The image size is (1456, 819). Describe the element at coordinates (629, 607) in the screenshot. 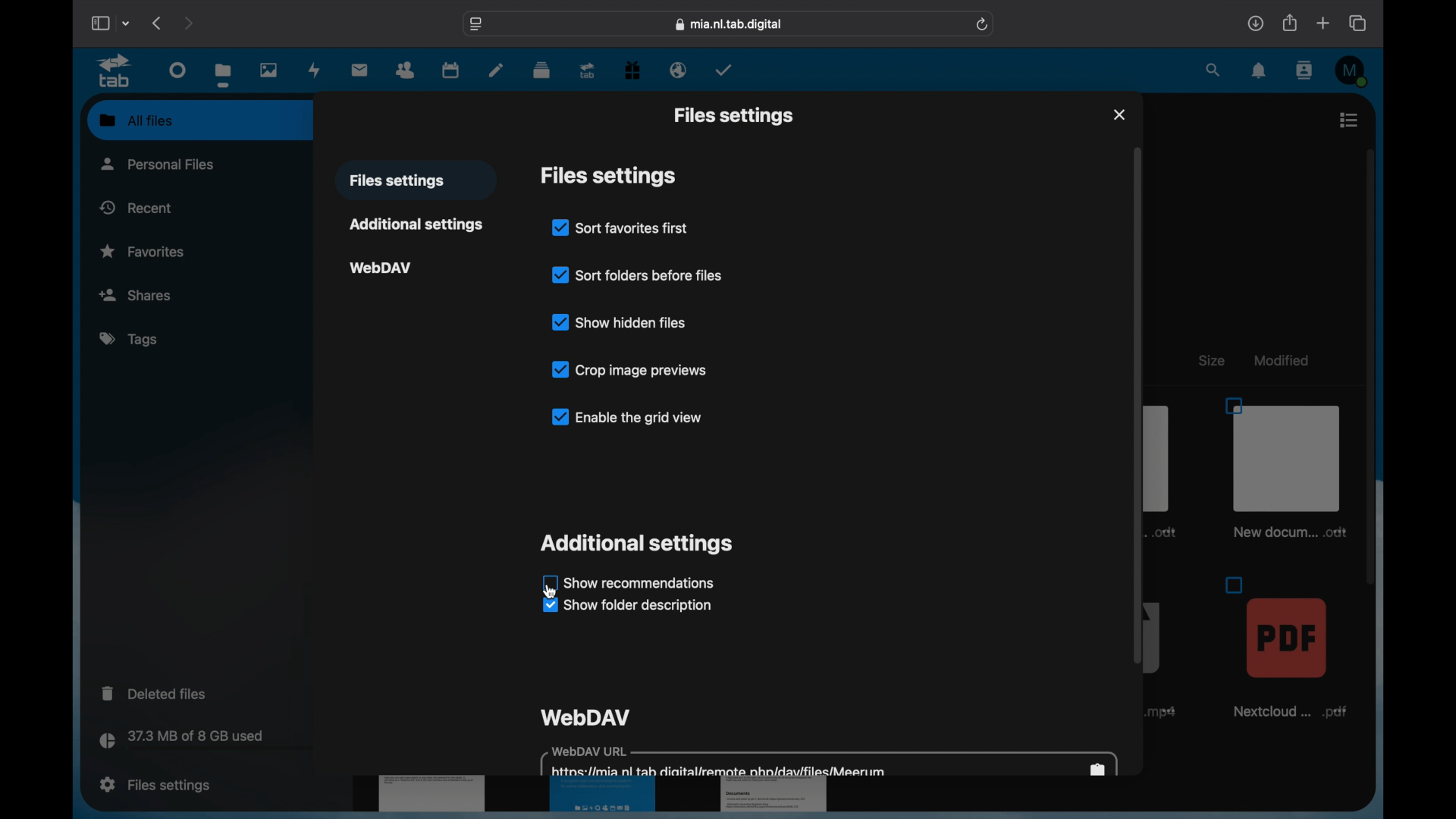

I see `show folder description` at that location.